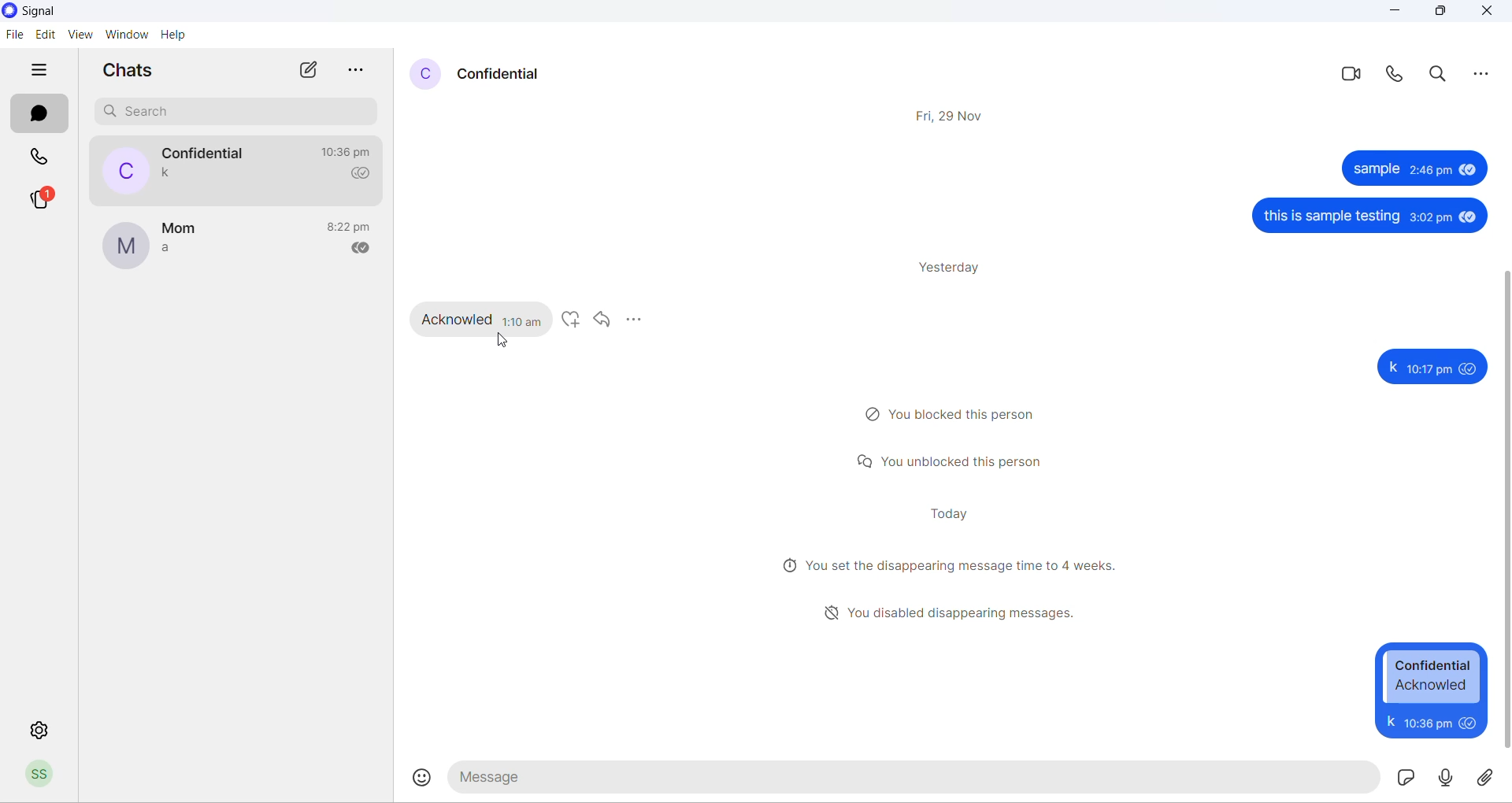 This screenshot has width=1512, height=803. What do you see at coordinates (180, 230) in the screenshot?
I see `contact name` at bounding box center [180, 230].